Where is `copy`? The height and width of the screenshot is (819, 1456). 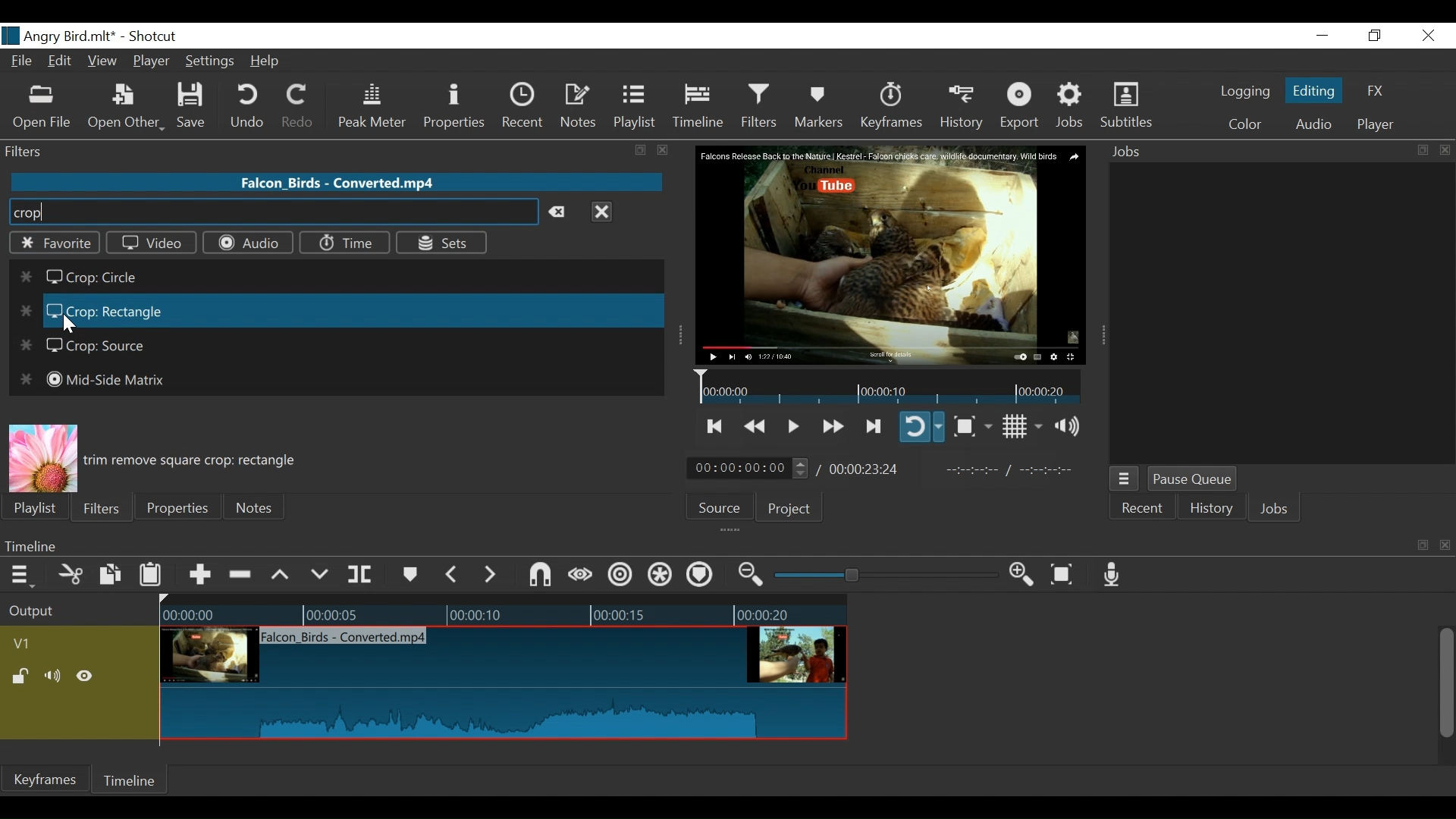
copy is located at coordinates (1421, 150).